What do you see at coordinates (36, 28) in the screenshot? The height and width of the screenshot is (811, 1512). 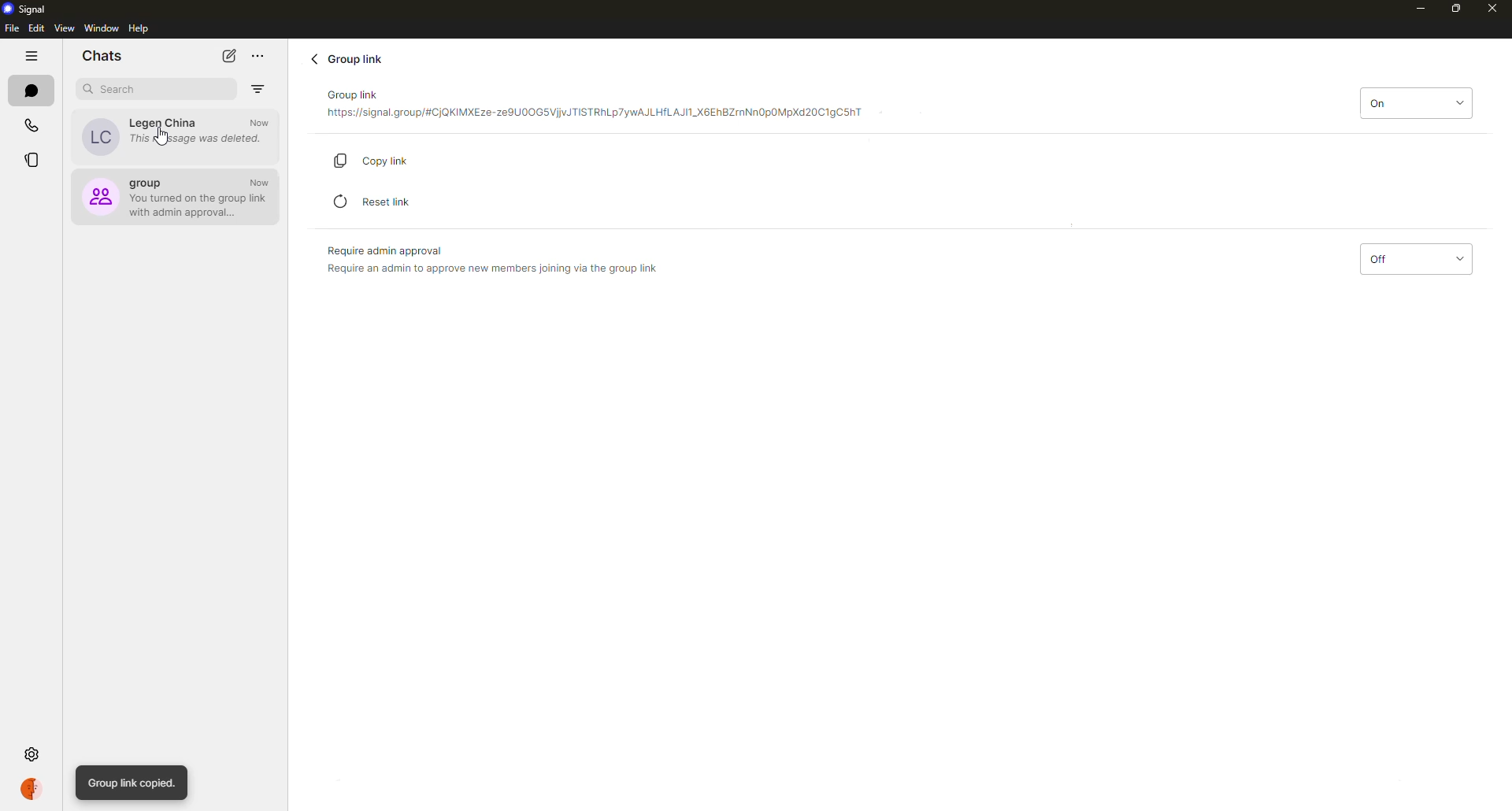 I see `edit` at bounding box center [36, 28].